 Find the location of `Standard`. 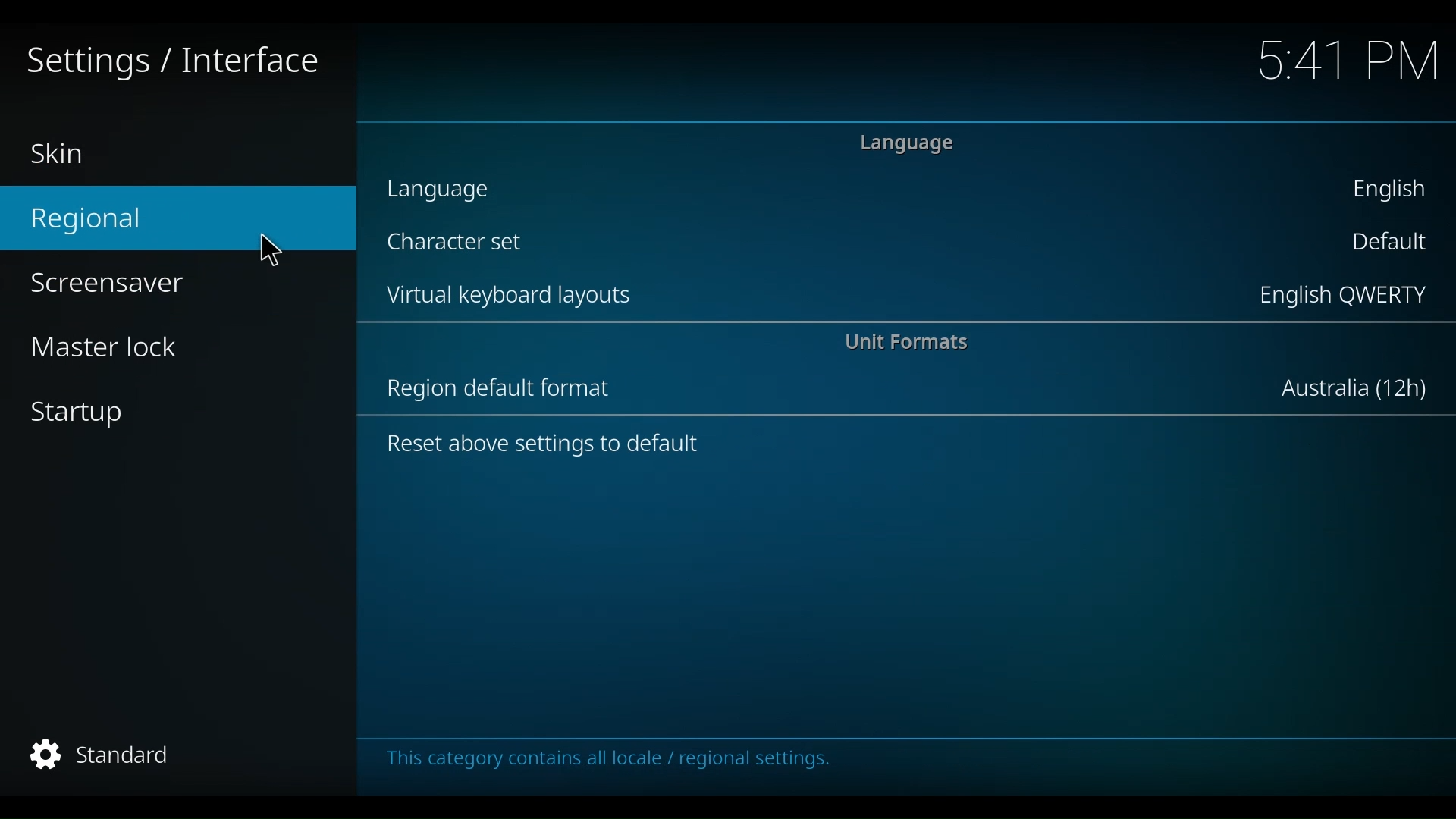

Standard is located at coordinates (99, 755).